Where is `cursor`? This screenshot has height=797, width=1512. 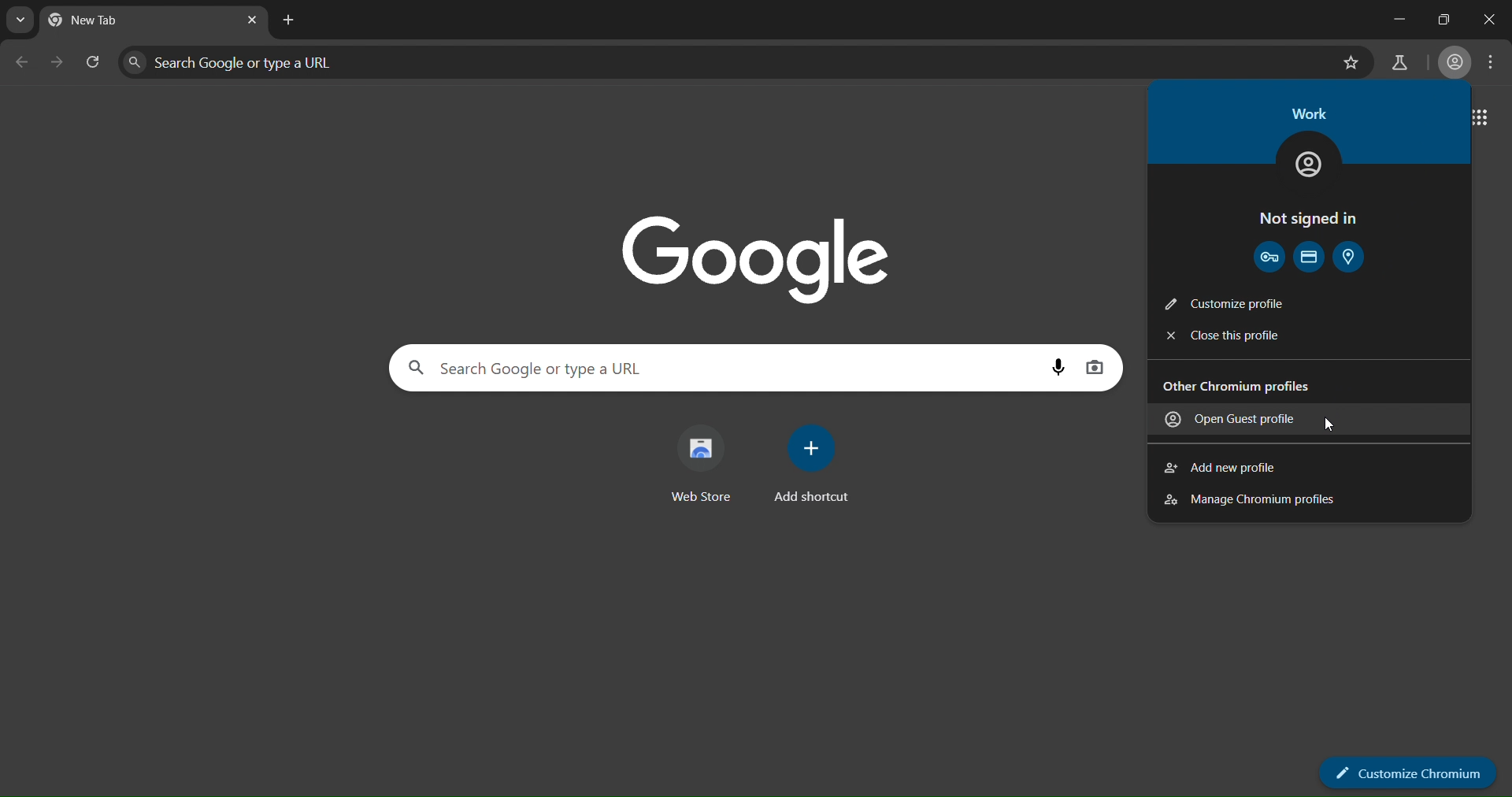
cursor is located at coordinates (1337, 426).